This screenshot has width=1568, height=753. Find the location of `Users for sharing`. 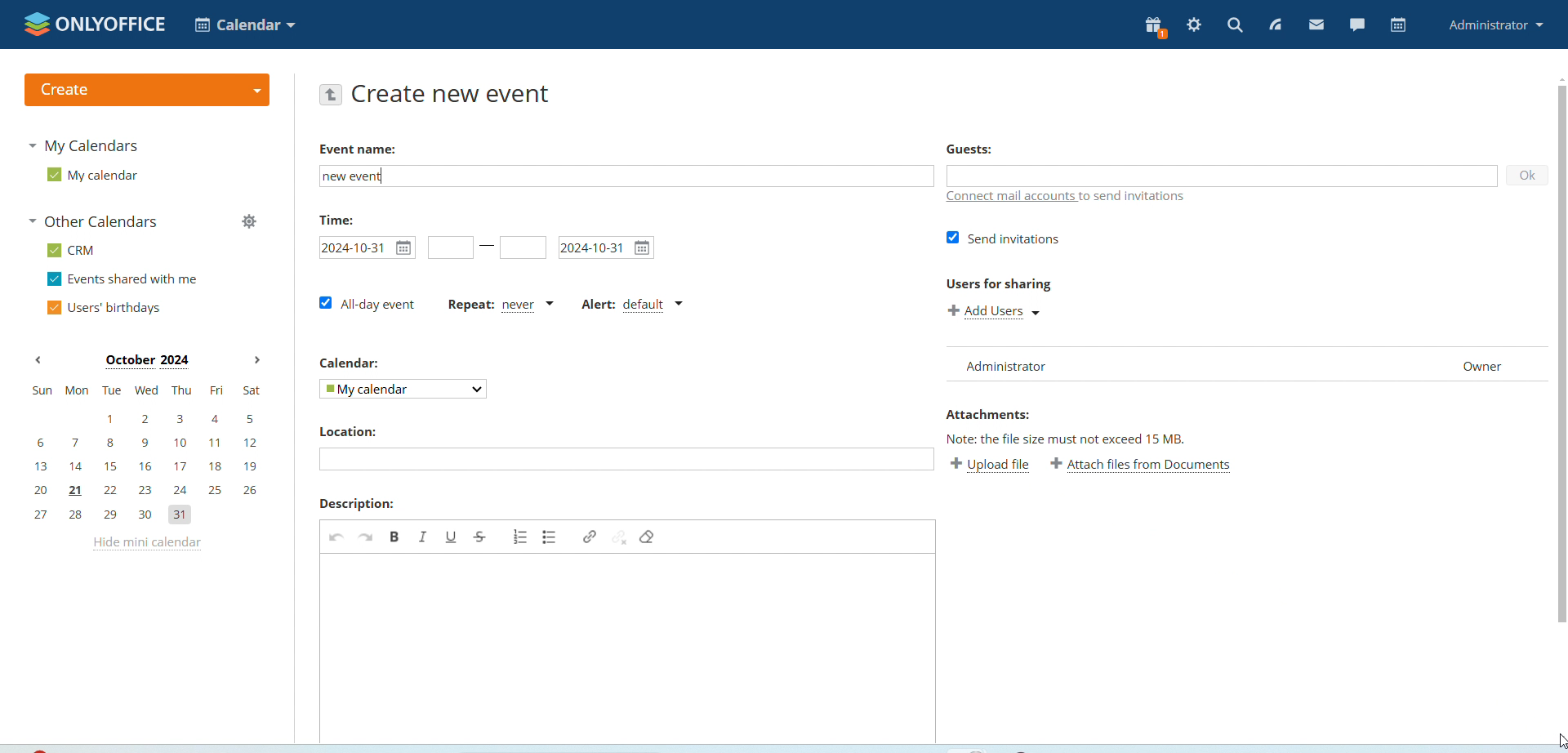

Users for sharing is located at coordinates (1000, 283).